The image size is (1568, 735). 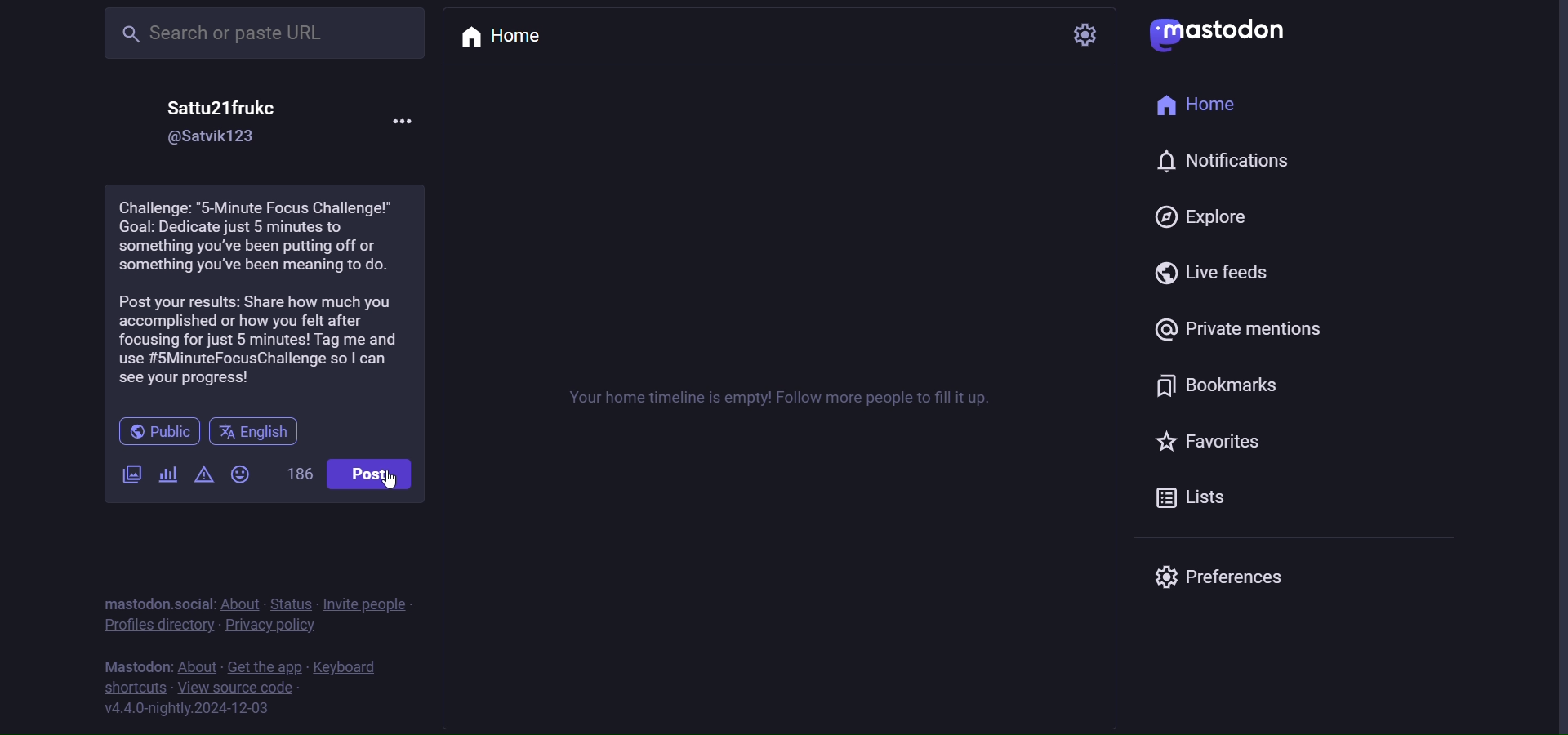 What do you see at coordinates (218, 136) in the screenshot?
I see `id` at bounding box center [218, 136].